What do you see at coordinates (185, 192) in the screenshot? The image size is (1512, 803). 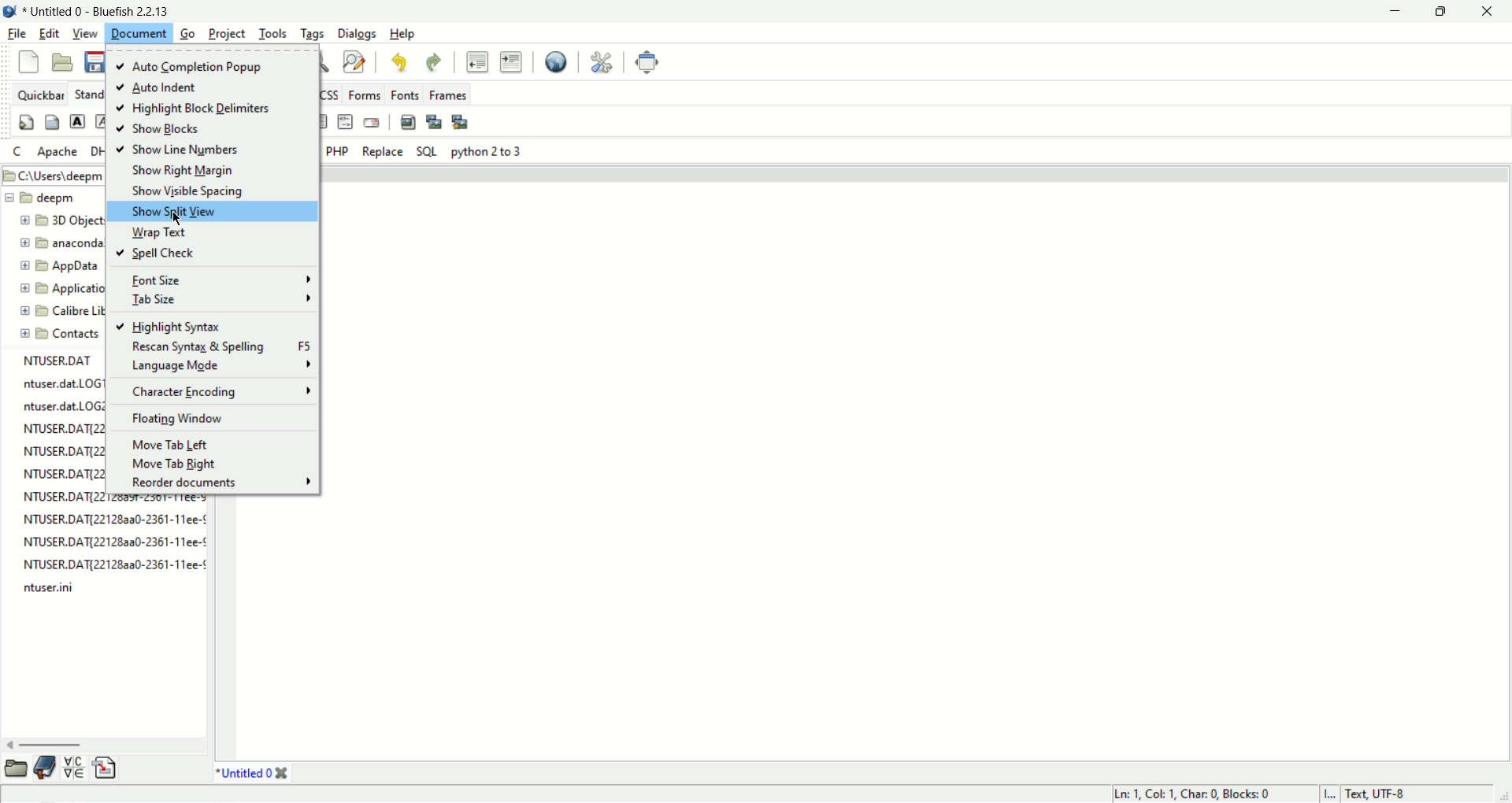 I see `show visible spacing` at bounding box center [185, 192].